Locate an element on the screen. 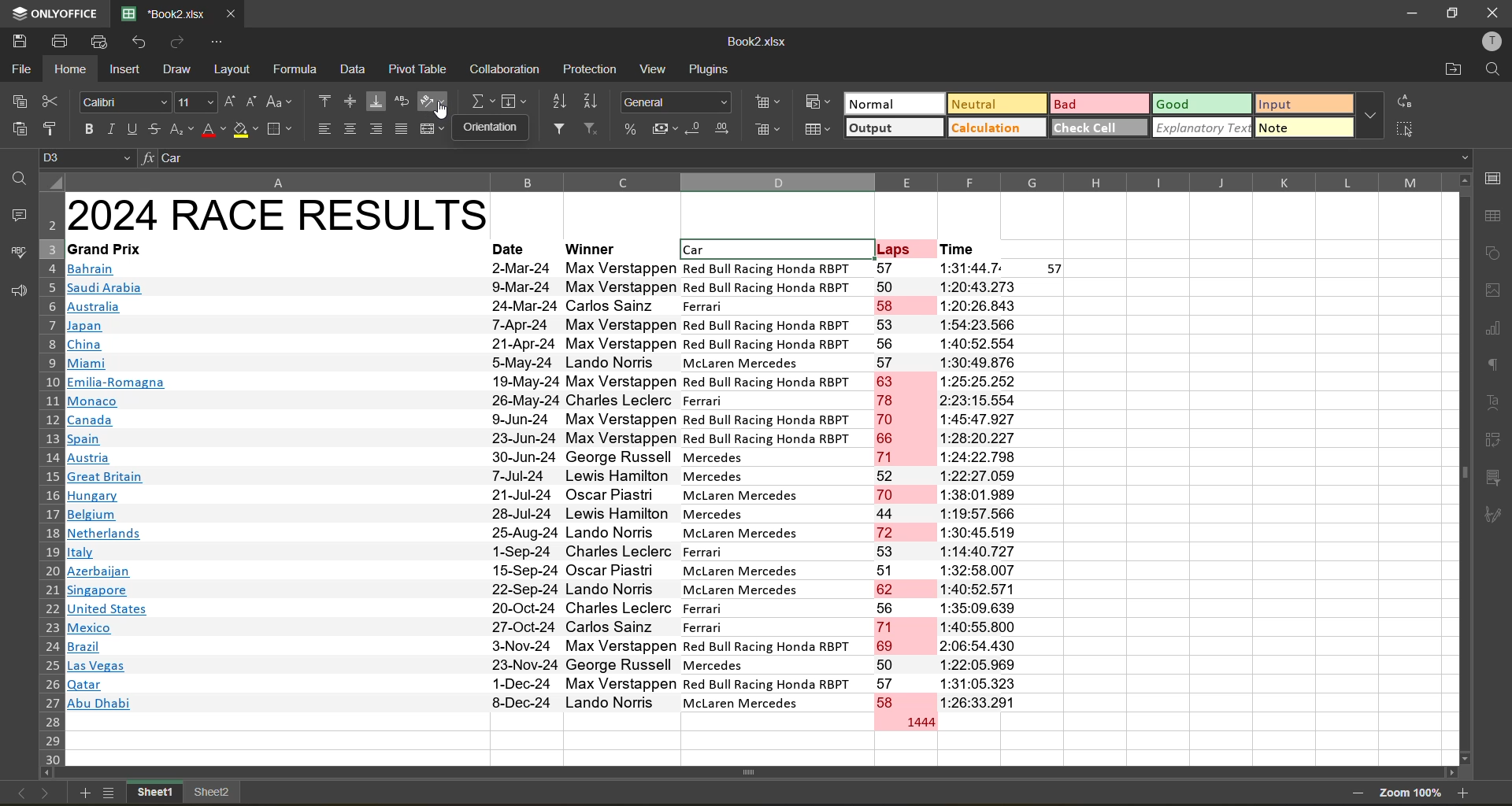  insert is located at coordinates (124, 68).